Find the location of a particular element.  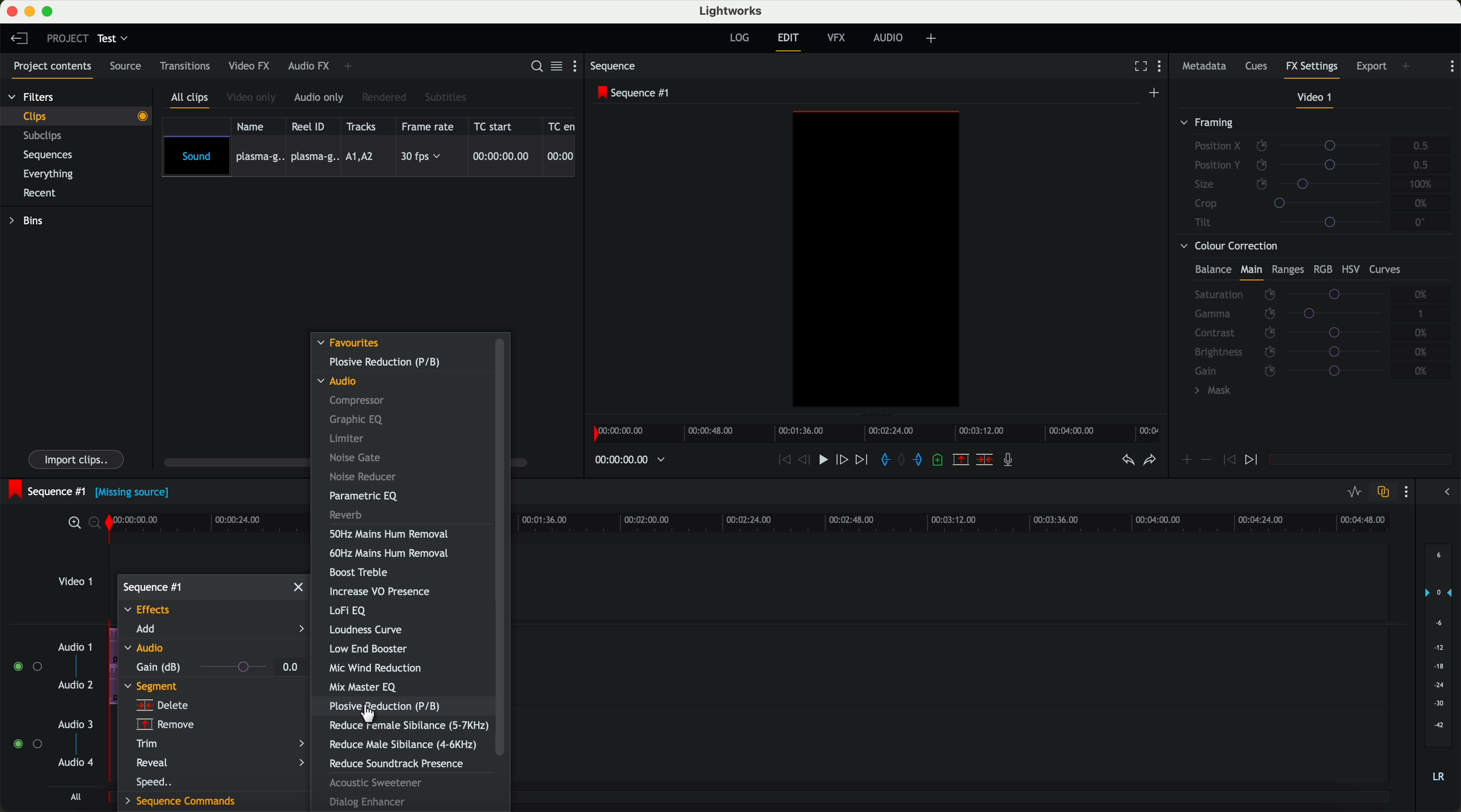

Filters tab is located at coordinates (31, 99).